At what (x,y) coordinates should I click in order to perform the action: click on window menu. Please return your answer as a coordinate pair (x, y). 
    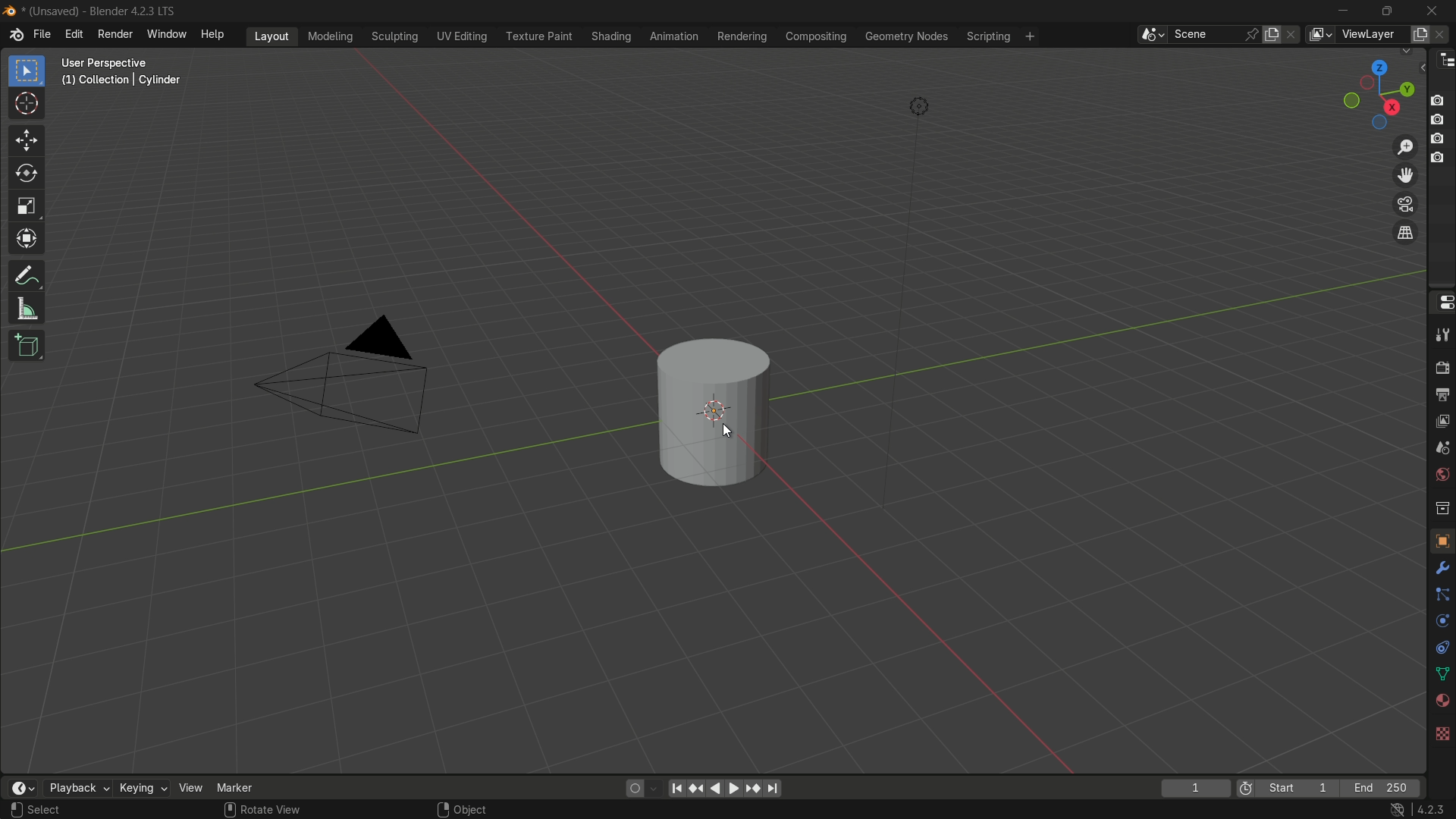
    Looking at the image, I should click on (168, 36).